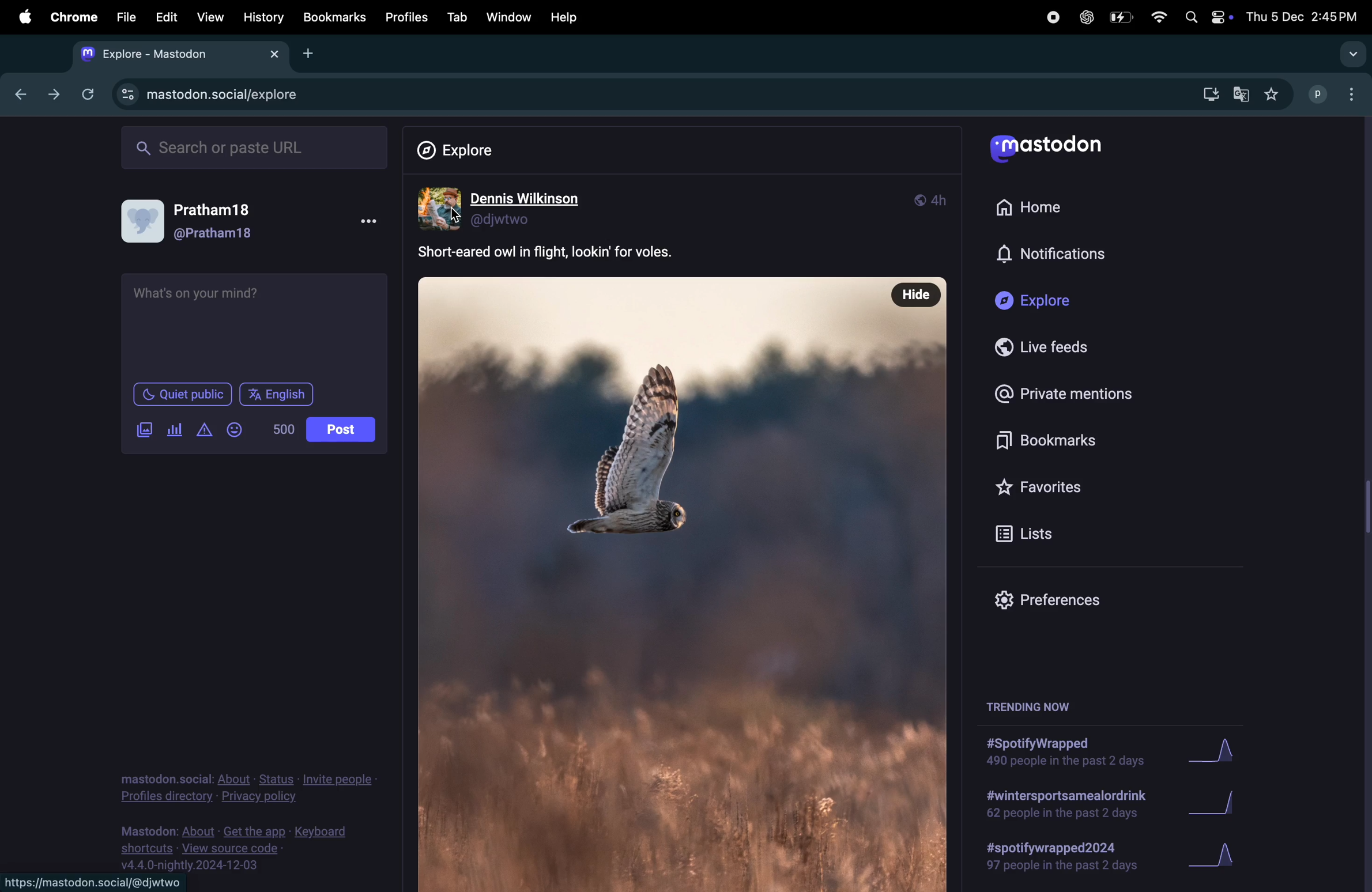 The width and height of the screenshot is (1372, 892). I want to click on Graph, so click(1212, 803).